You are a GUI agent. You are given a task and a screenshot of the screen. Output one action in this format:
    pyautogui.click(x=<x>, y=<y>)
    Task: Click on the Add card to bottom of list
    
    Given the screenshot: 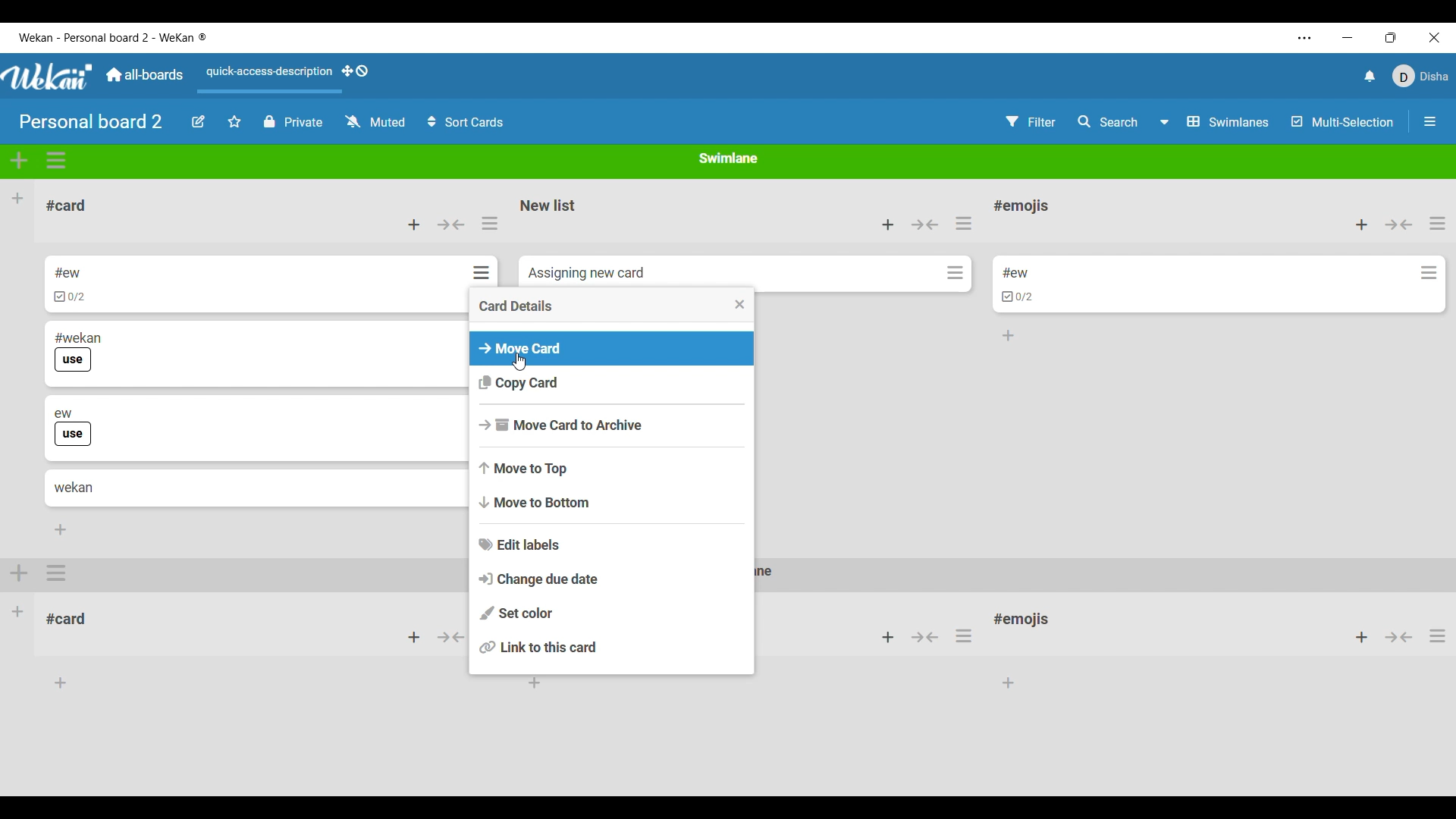 What is the action you would take?
    pyautogui.click(x=1009, y=336)
    